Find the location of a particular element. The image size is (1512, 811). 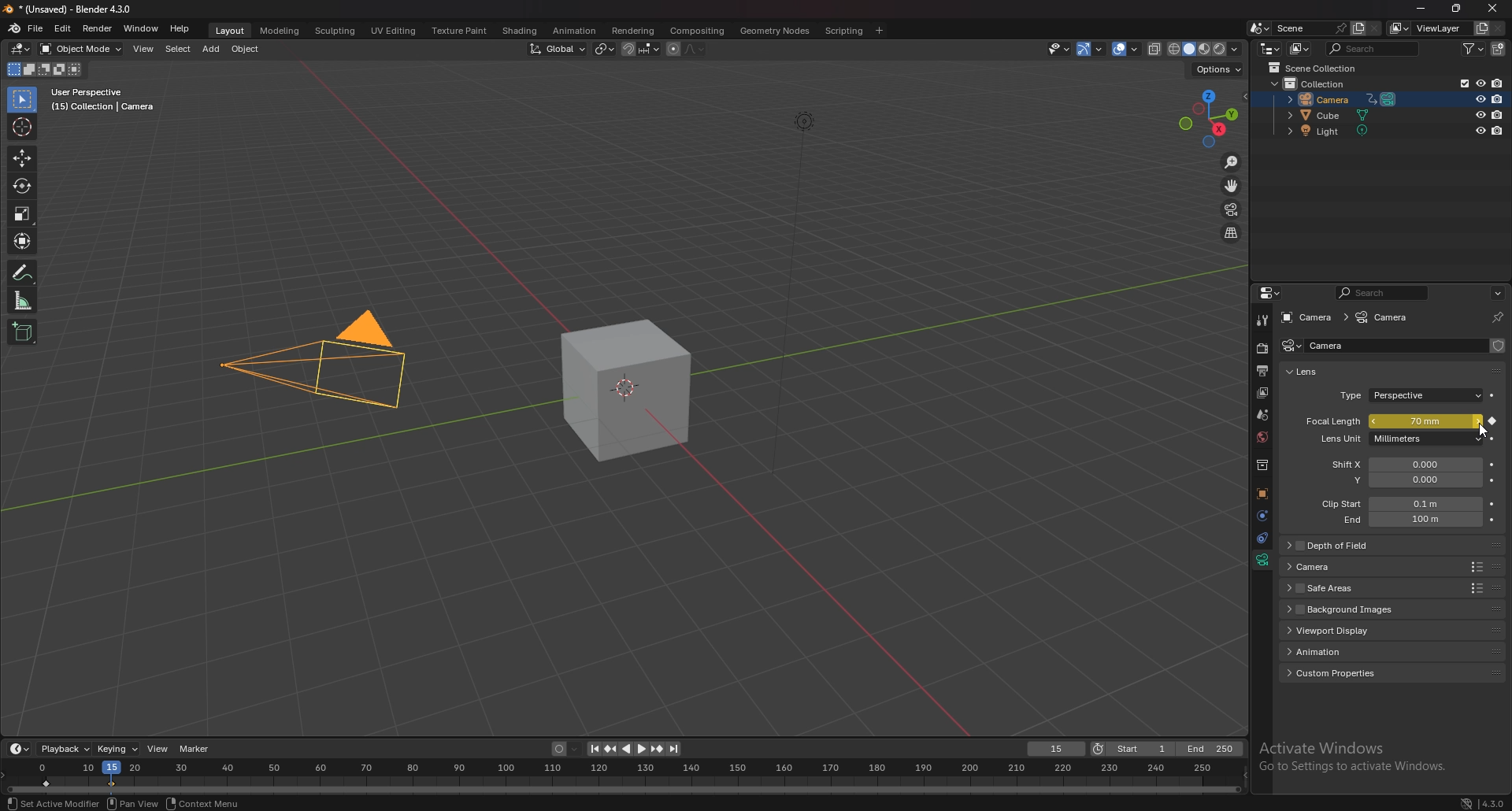

browse scene is located at coordinates (1258, 28).